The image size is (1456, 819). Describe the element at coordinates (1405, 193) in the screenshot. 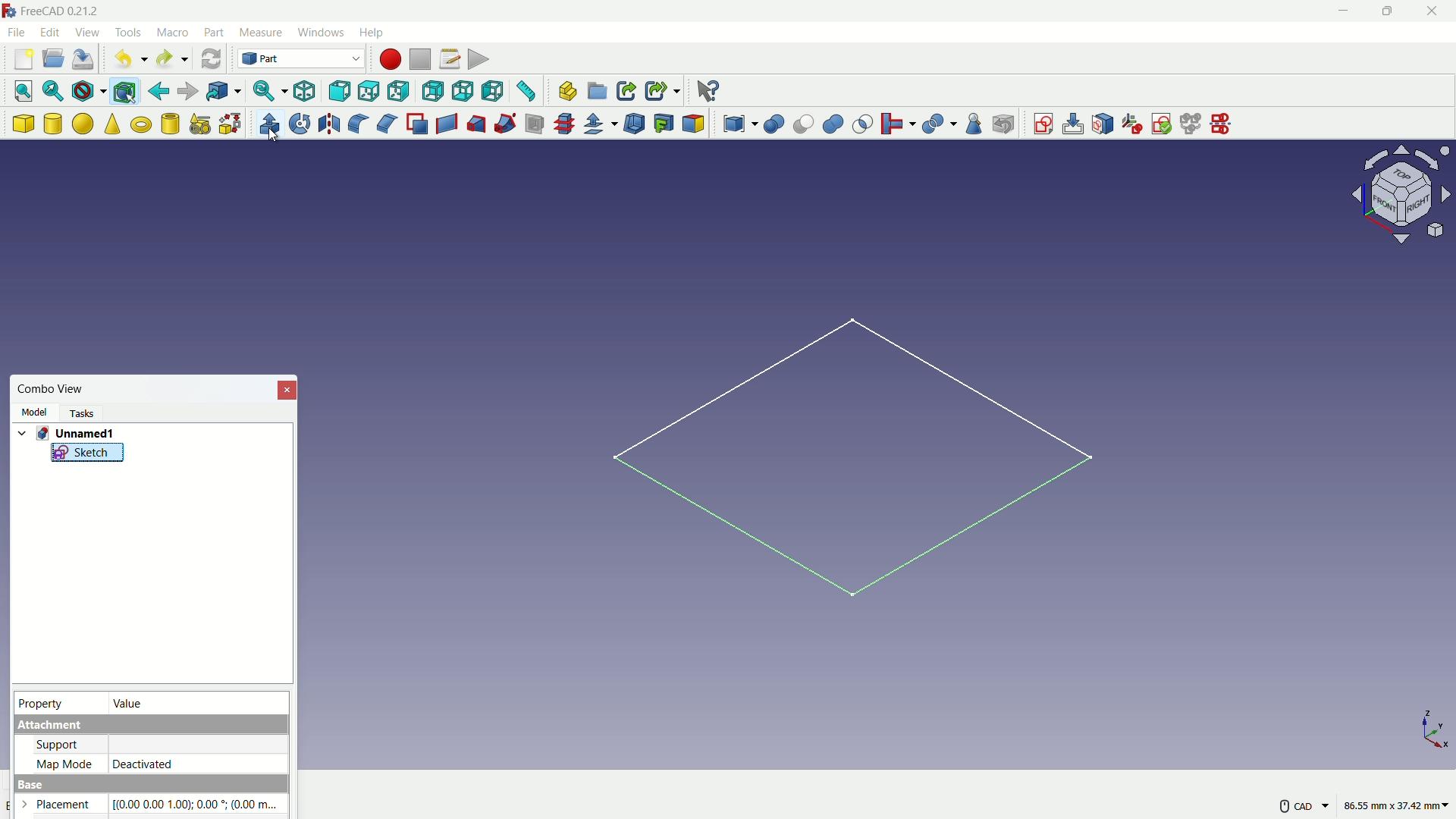

I see `rotate direction` at that location.